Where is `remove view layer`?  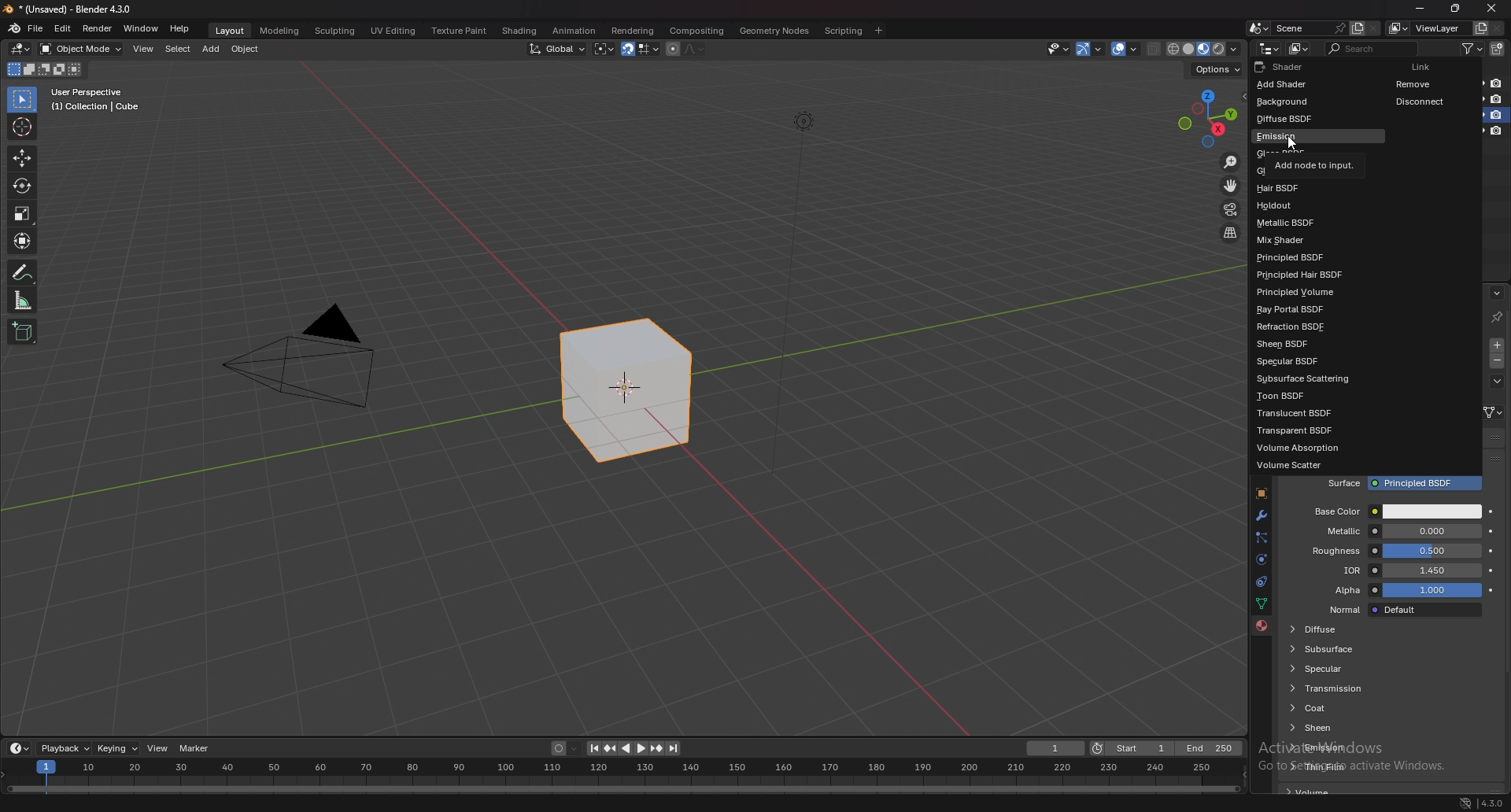
remove view layer is located at coordinates (1498, 29).